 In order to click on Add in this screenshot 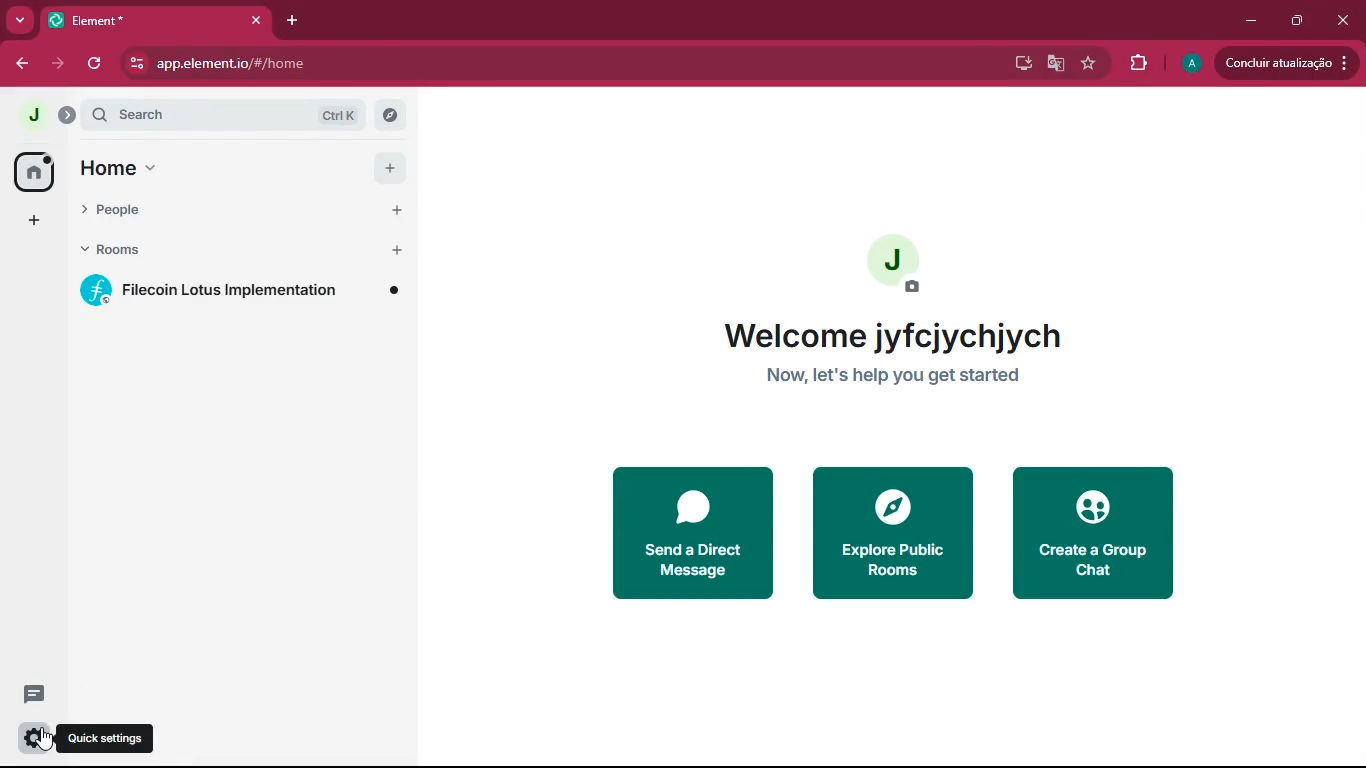, I will do `click(386, 165)`.